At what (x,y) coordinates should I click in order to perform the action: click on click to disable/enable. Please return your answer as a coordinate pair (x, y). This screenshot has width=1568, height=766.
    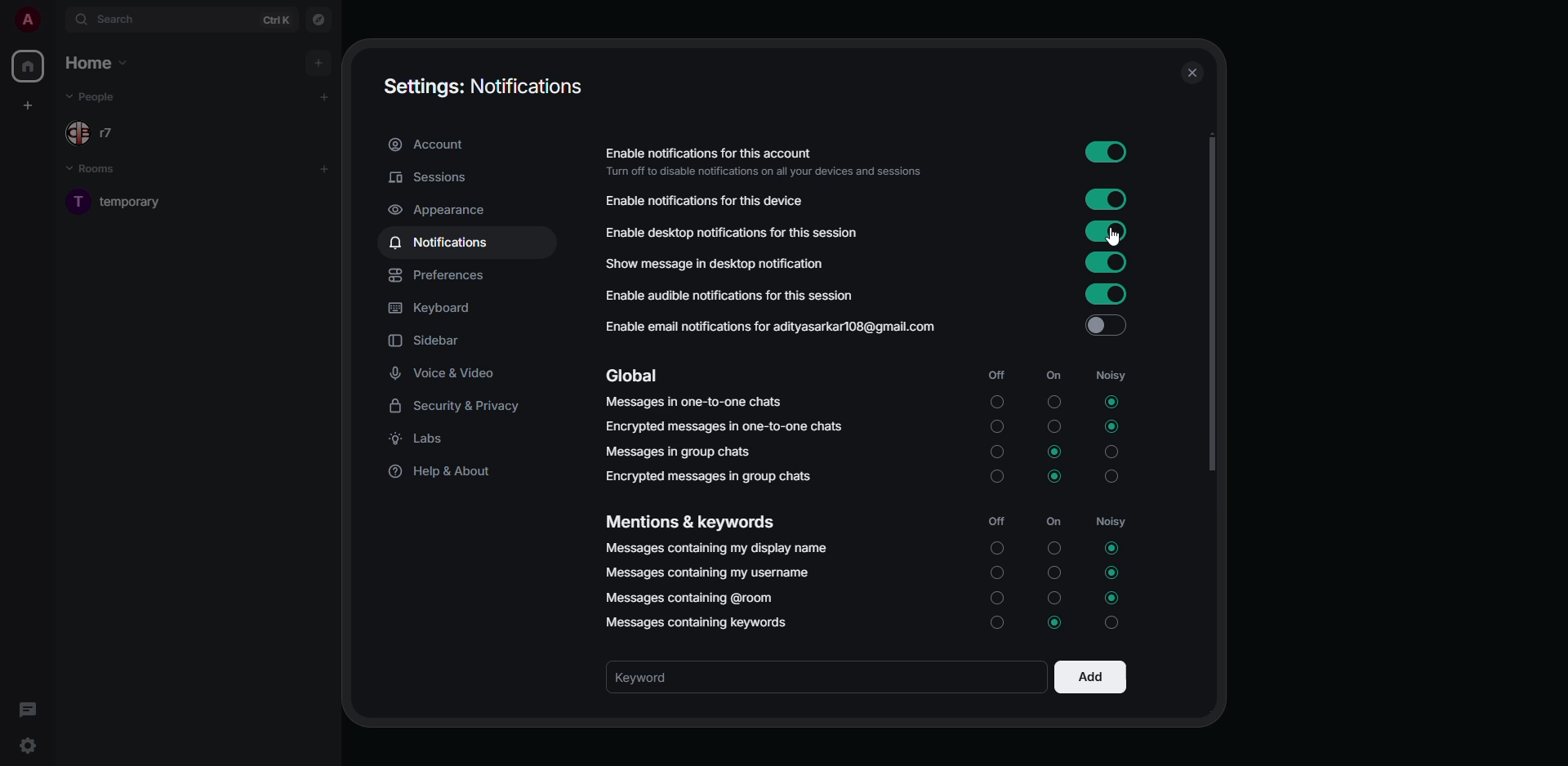
    Looking at the image, I should click on (1102, 292).